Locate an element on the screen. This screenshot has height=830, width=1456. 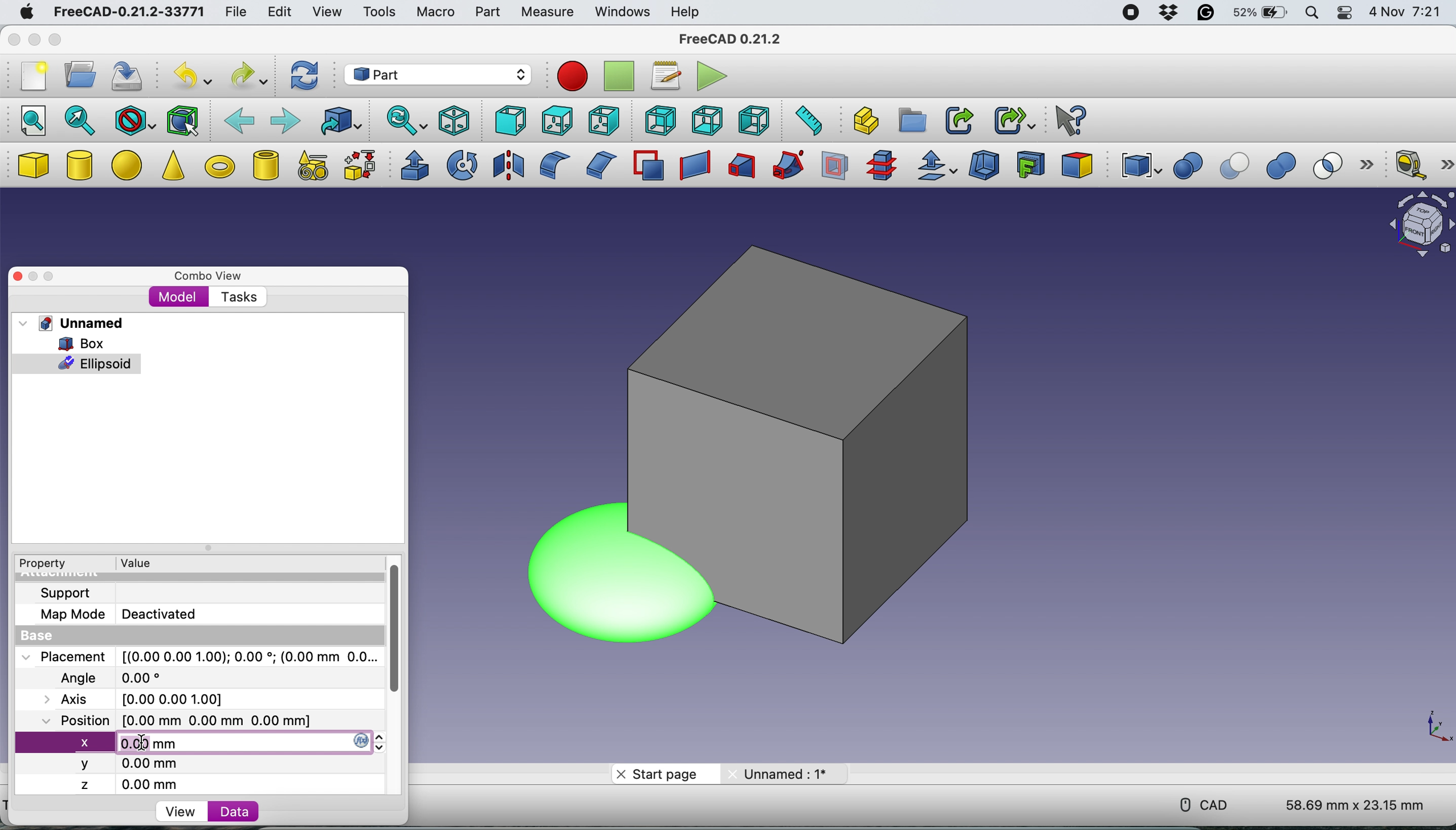
chamfer is located at coordinates (599, 164).